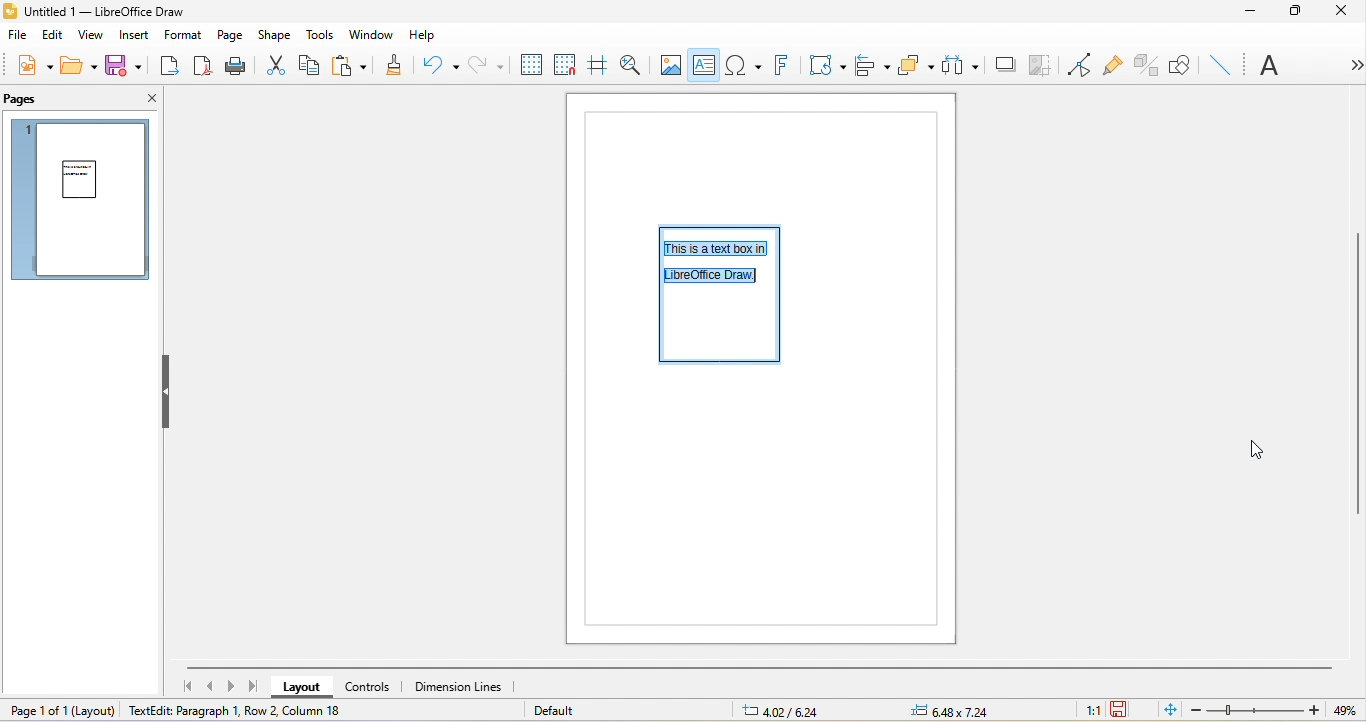 The image size is (1366, 722). What do you see at coordinates (353, 65) in the screenshot?
I see `paste` at bounding box center [353, 65].